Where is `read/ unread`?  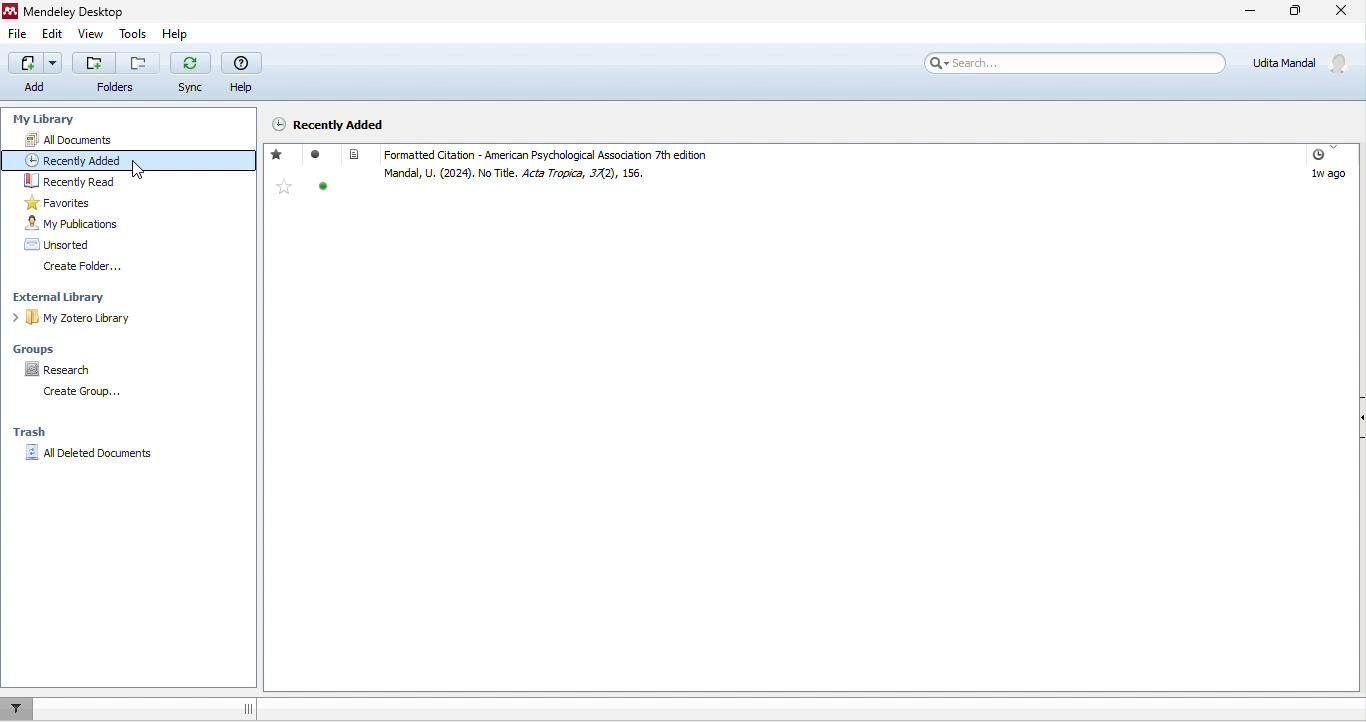 read/ unread is located at coordinates (317, 155).